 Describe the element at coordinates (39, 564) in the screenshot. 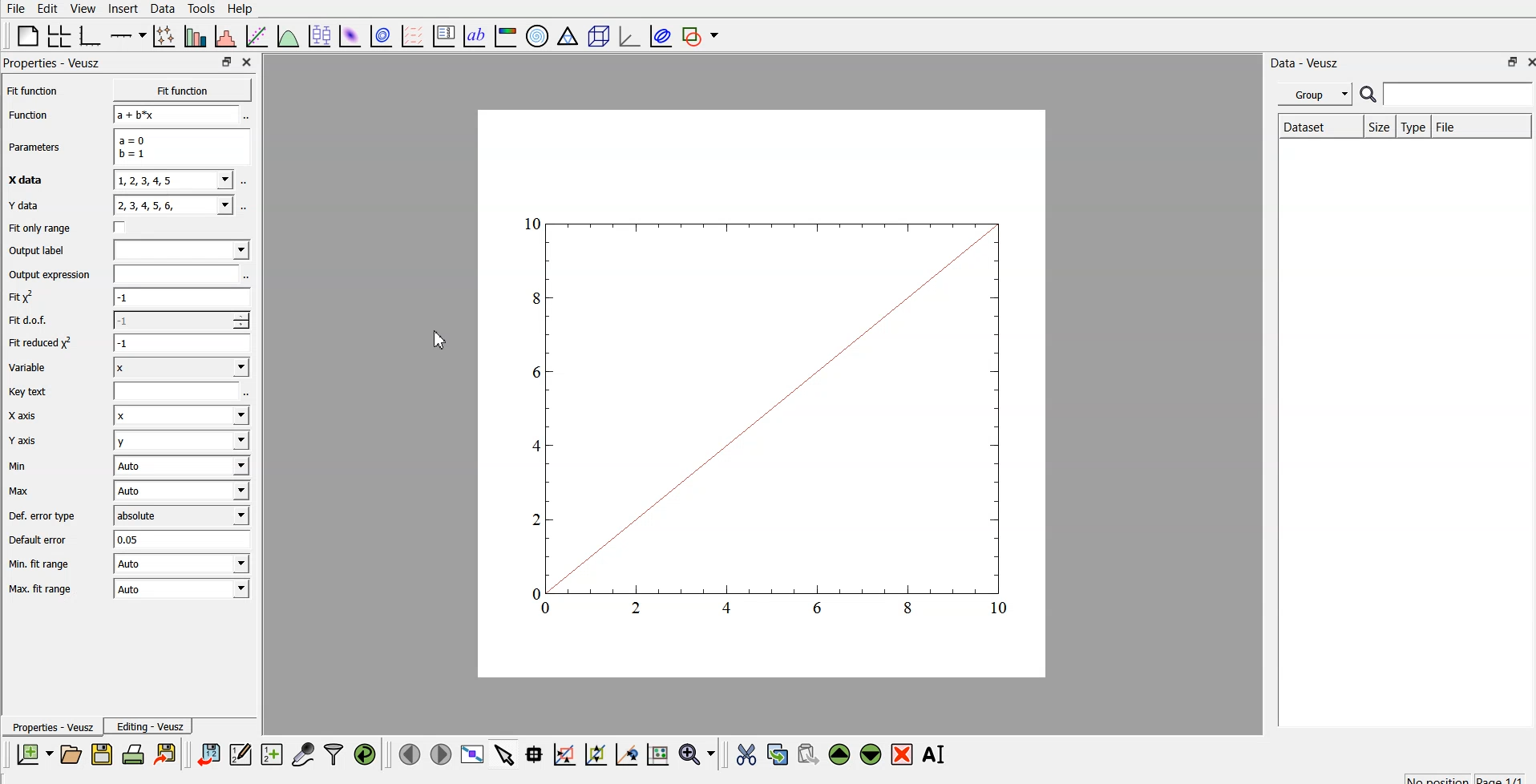

I see `| Min. fit range` at that location.